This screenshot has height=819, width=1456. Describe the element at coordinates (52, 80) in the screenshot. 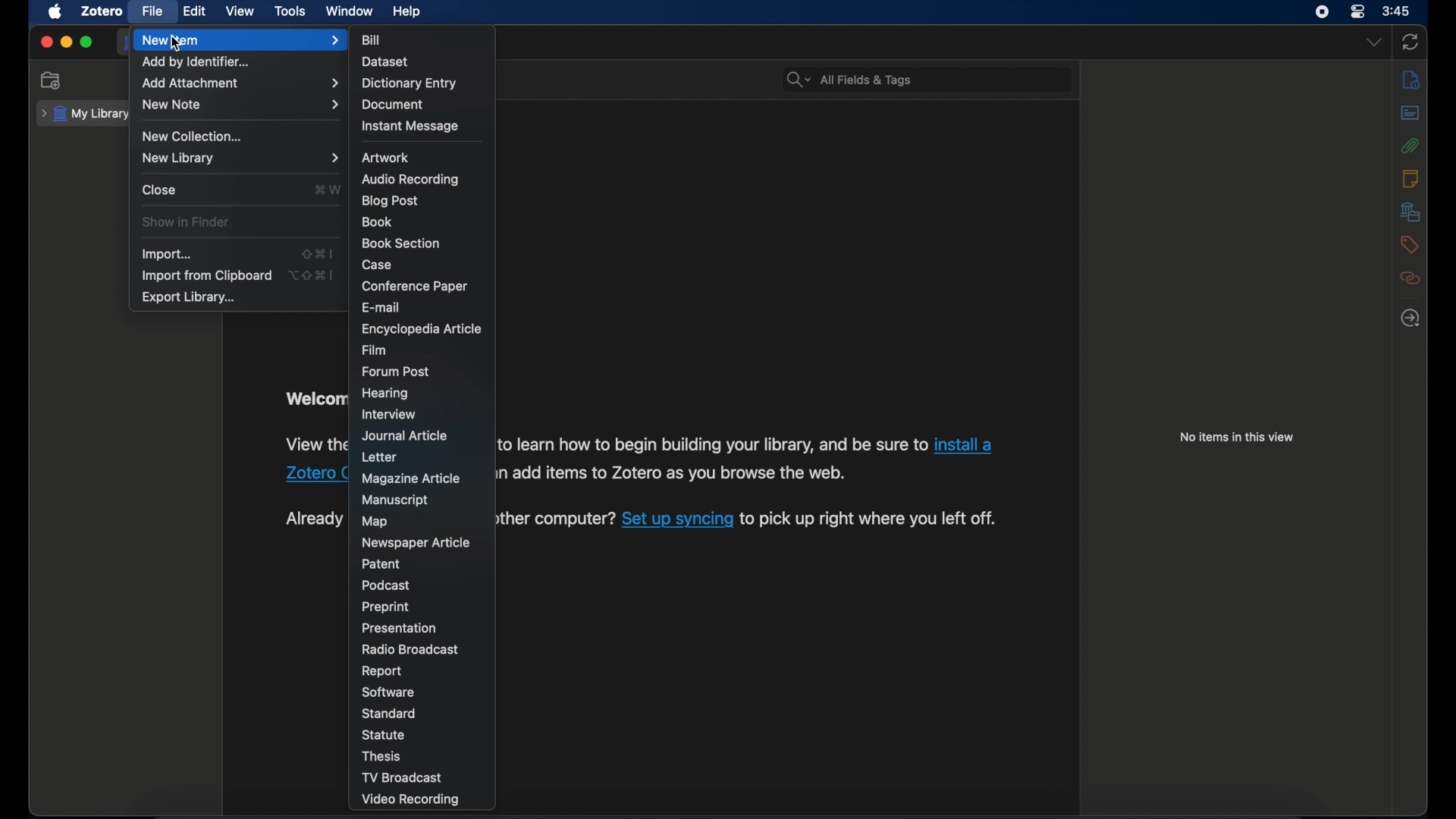

I see `new collection` at that location.